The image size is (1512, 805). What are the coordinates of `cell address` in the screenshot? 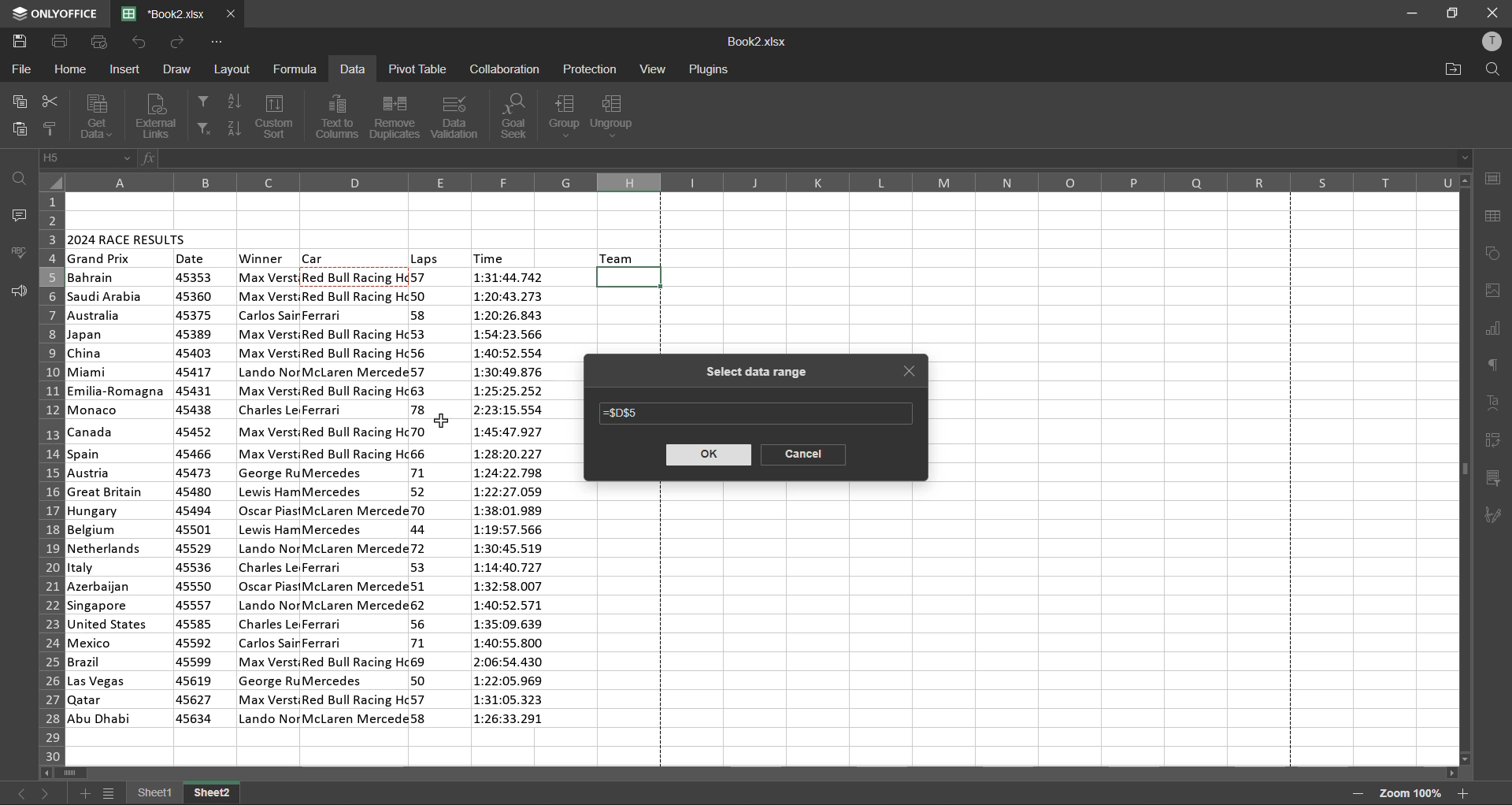 It's located at (87, 158).